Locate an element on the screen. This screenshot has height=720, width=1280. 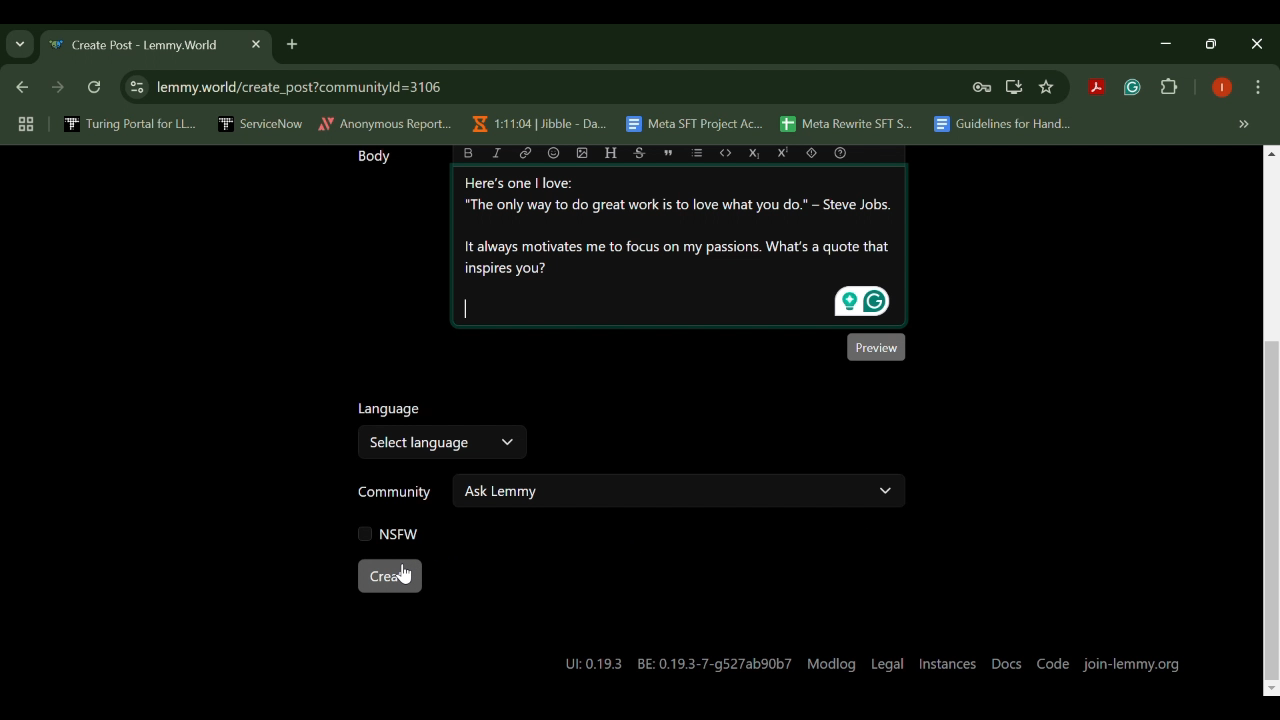
Create Post - Lemmy.World is located at coordinates (138, 46).